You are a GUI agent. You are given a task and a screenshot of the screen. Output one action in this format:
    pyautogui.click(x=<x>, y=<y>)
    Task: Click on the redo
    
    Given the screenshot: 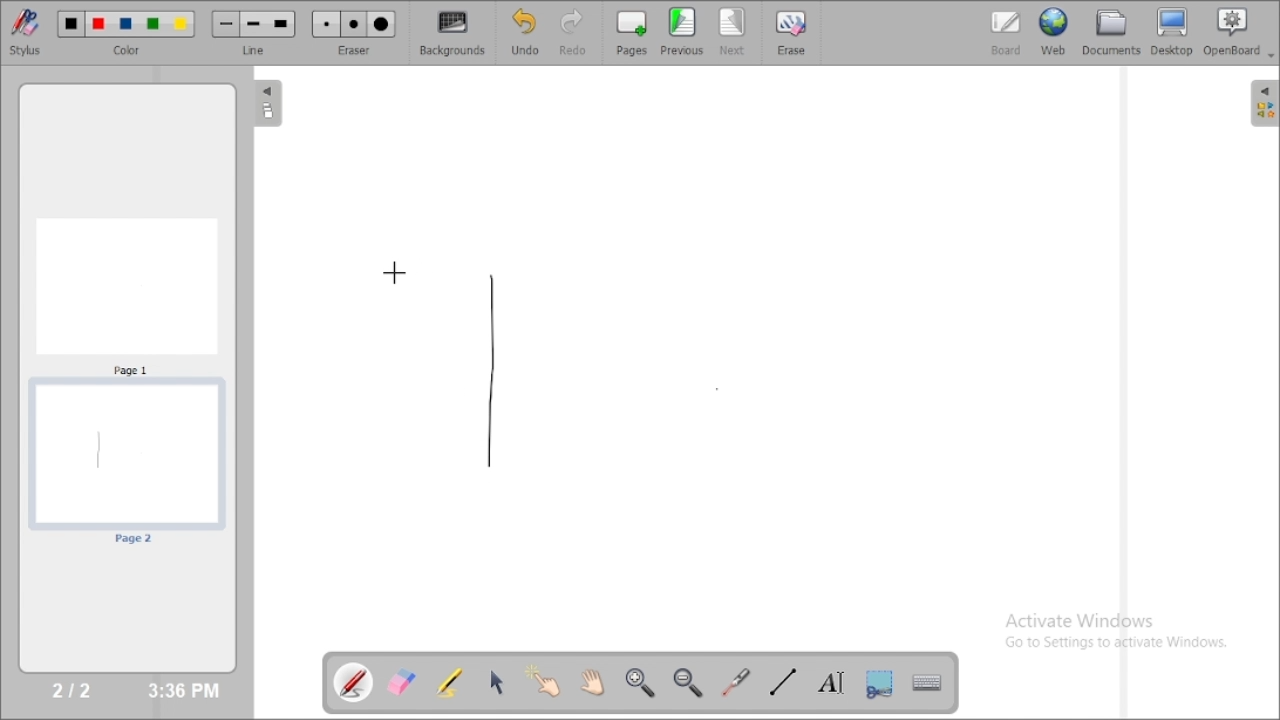 What is the action you would take?
    pyautogui.click(x=578, y=32)
    